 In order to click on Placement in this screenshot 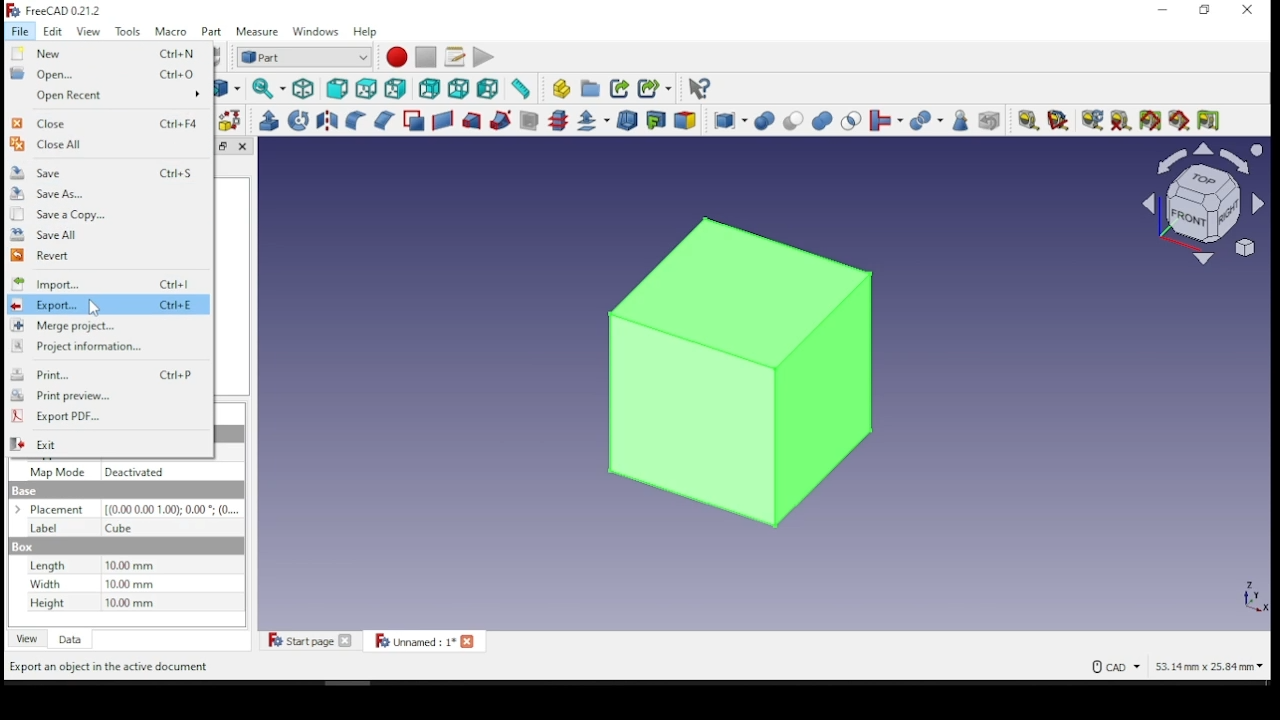, I will do `click(54, 510)`.